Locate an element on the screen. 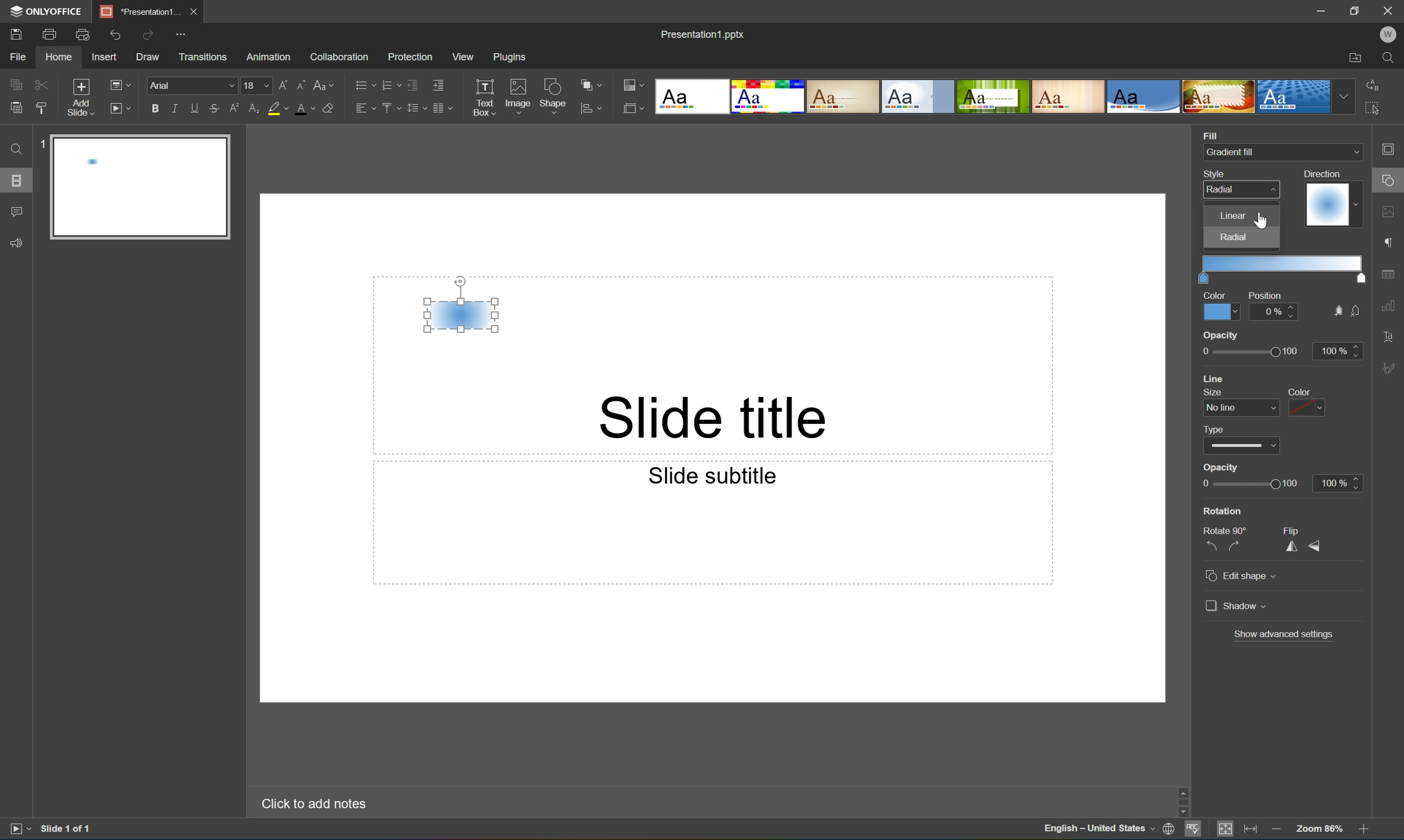 Image resolution: width=1404 pixels, height=840 pixels. line size dropdown is located at coordinates (1243, 408).